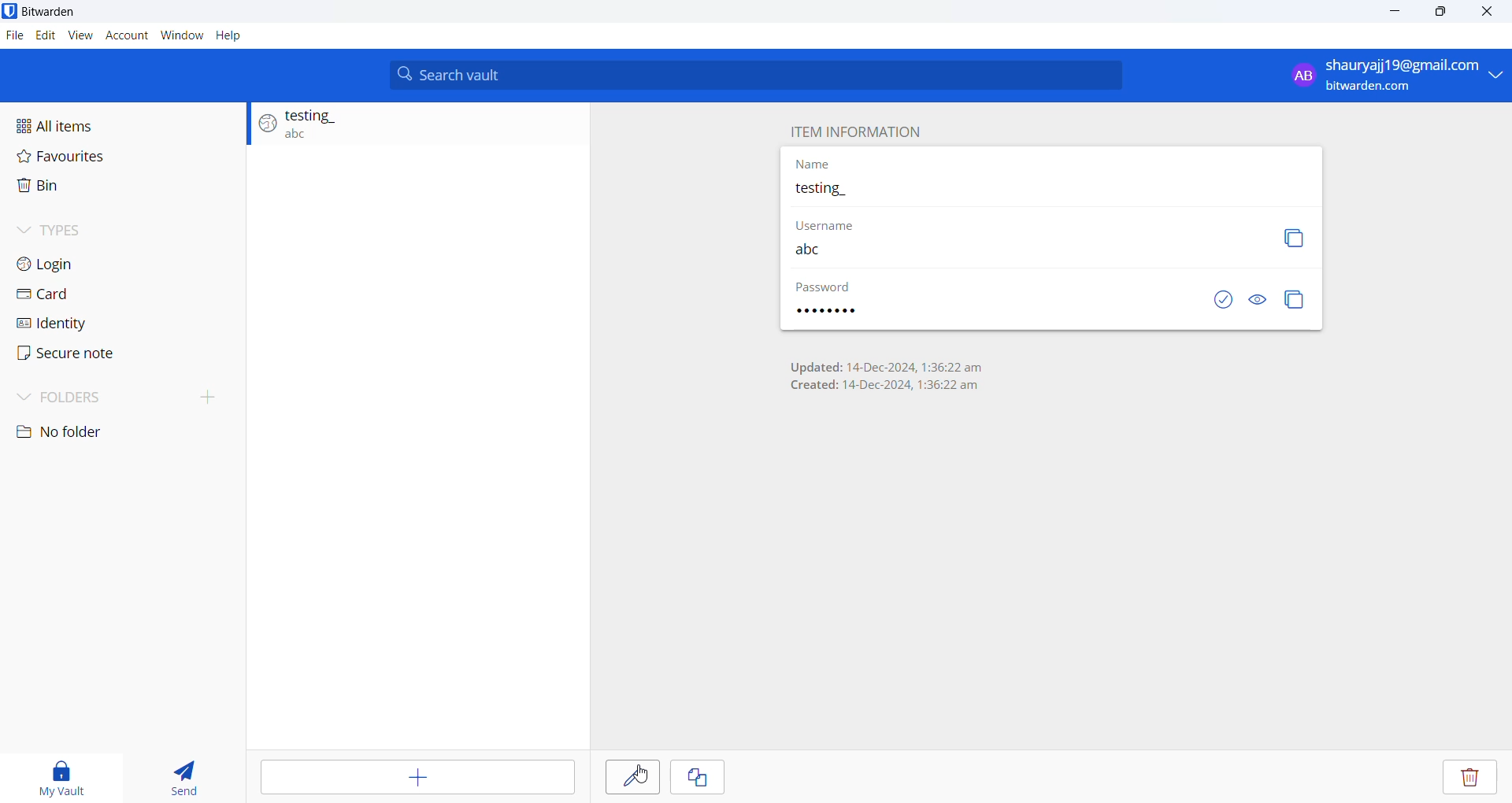 The height and width of the screenshot is (803, 1512). Describe the element at coordinates (410, 128) in the screenshot. I see `Login entry` at that location.